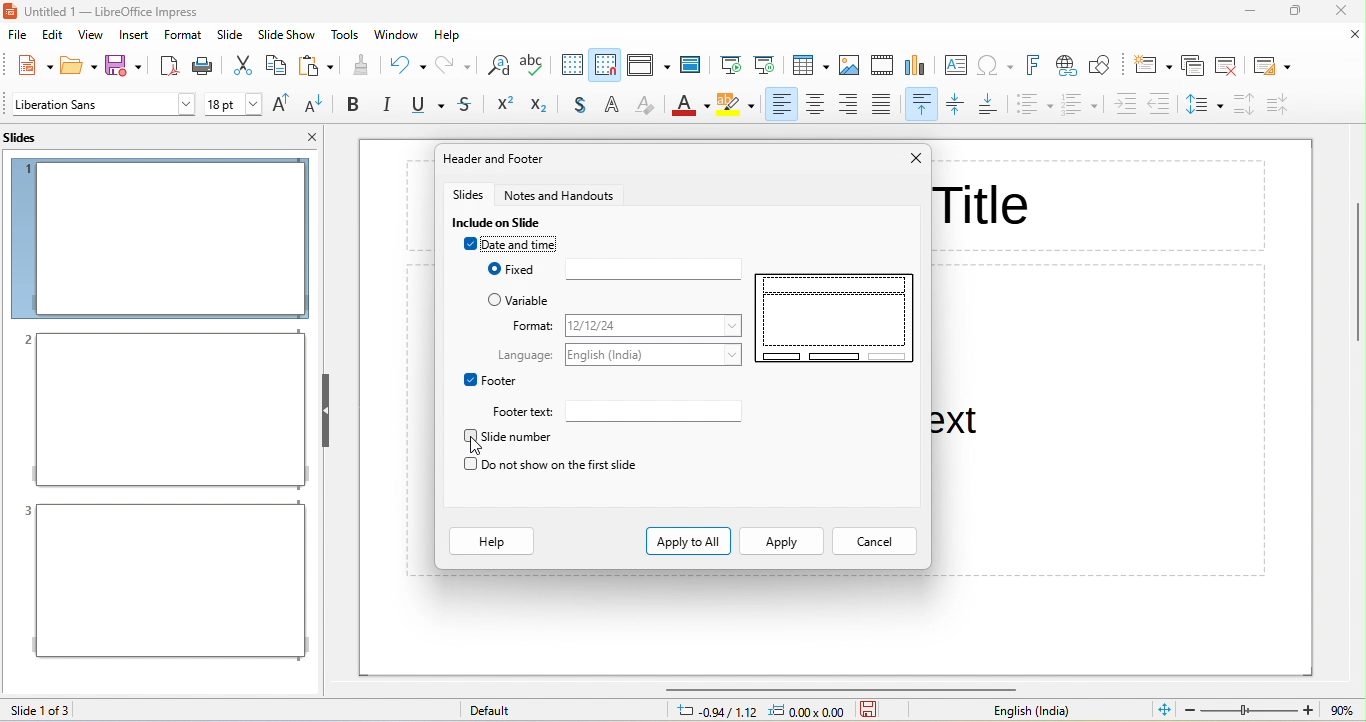 The width and height of the screenshot is (1366, 722). I want to click on shadow, so click(583, 106).